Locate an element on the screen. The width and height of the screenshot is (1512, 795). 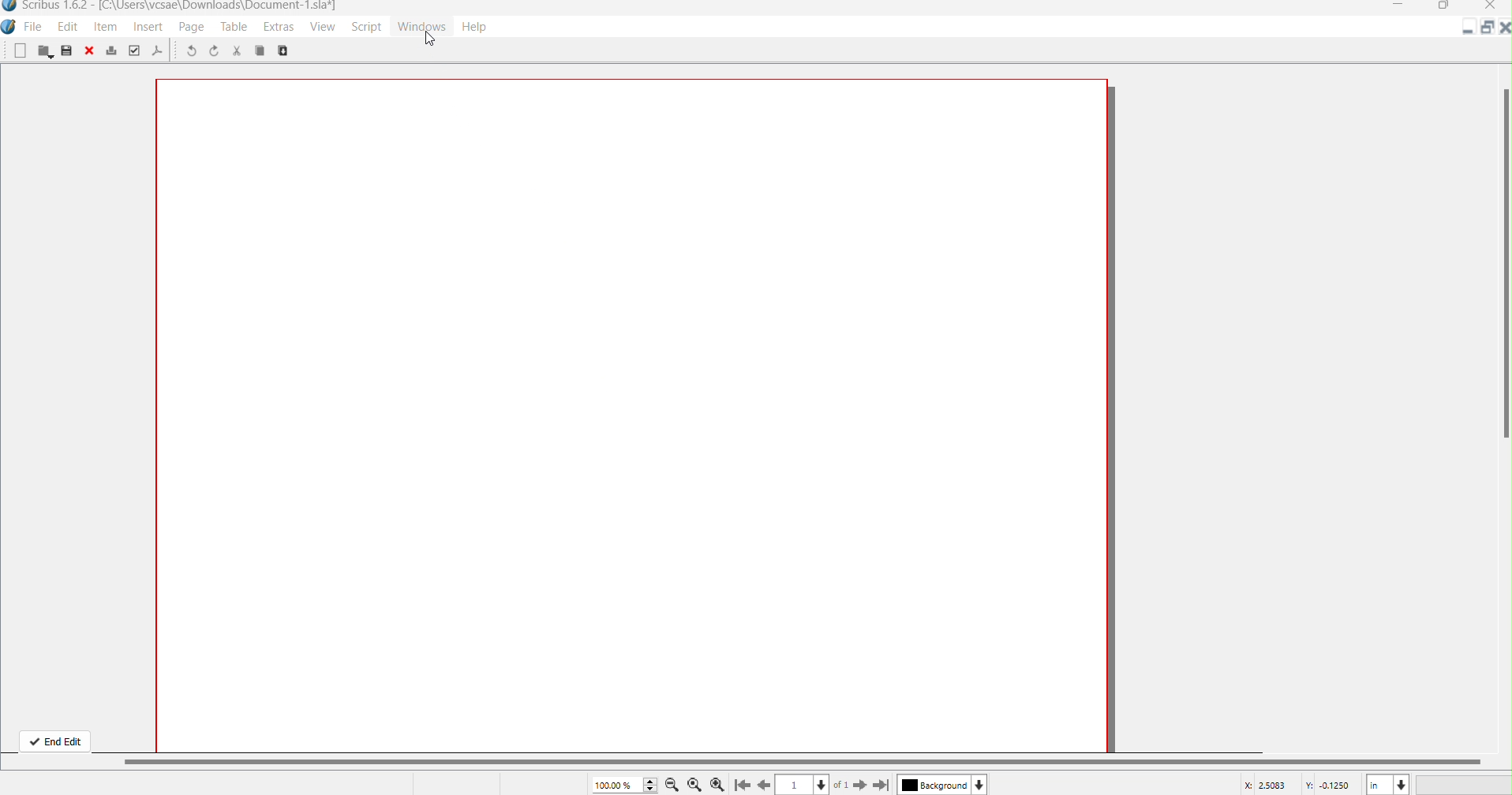
down is located at coordinates (981, 784).